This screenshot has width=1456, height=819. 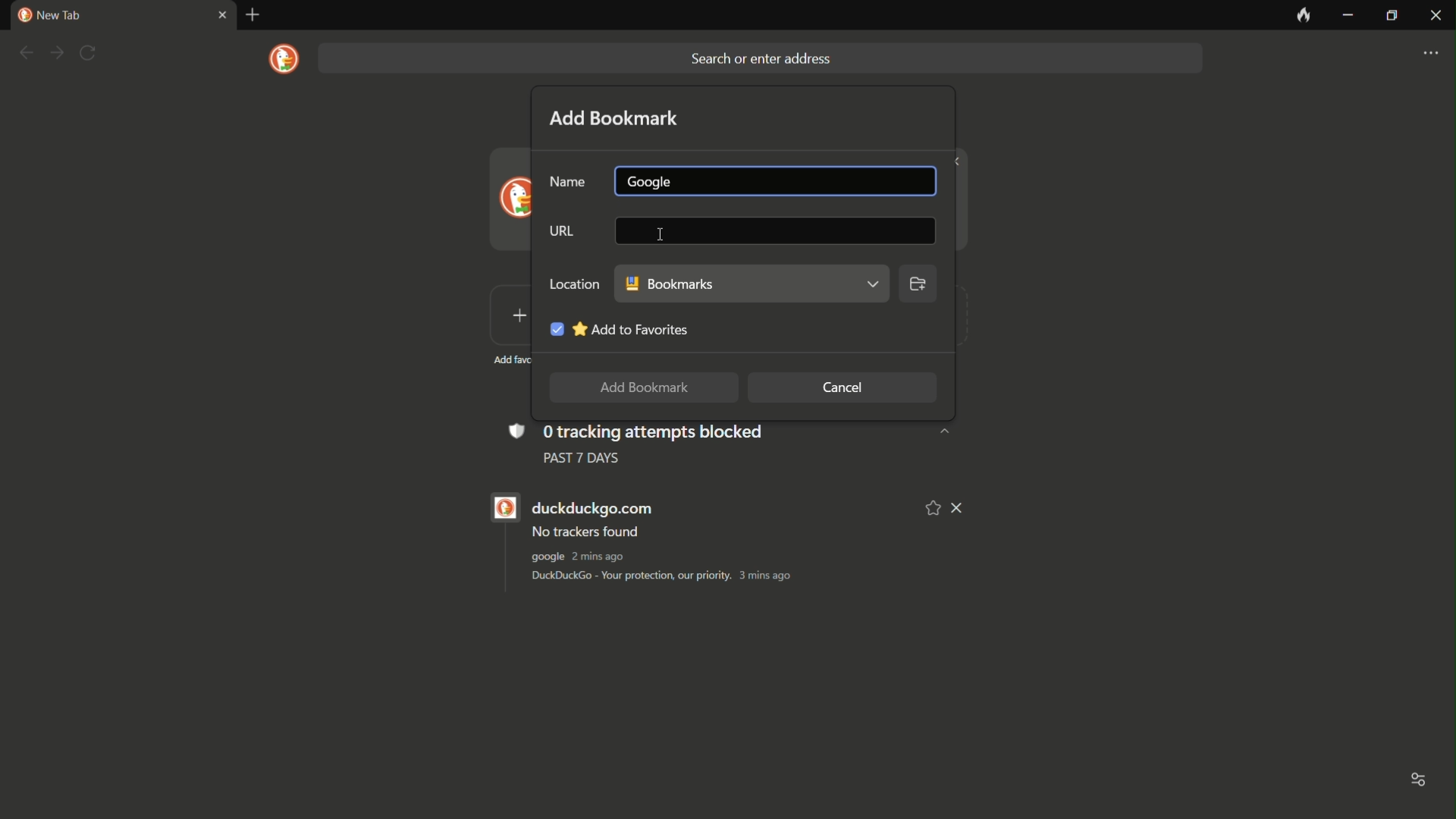 I want to click on add bookmark, so click(x=615, y=118).